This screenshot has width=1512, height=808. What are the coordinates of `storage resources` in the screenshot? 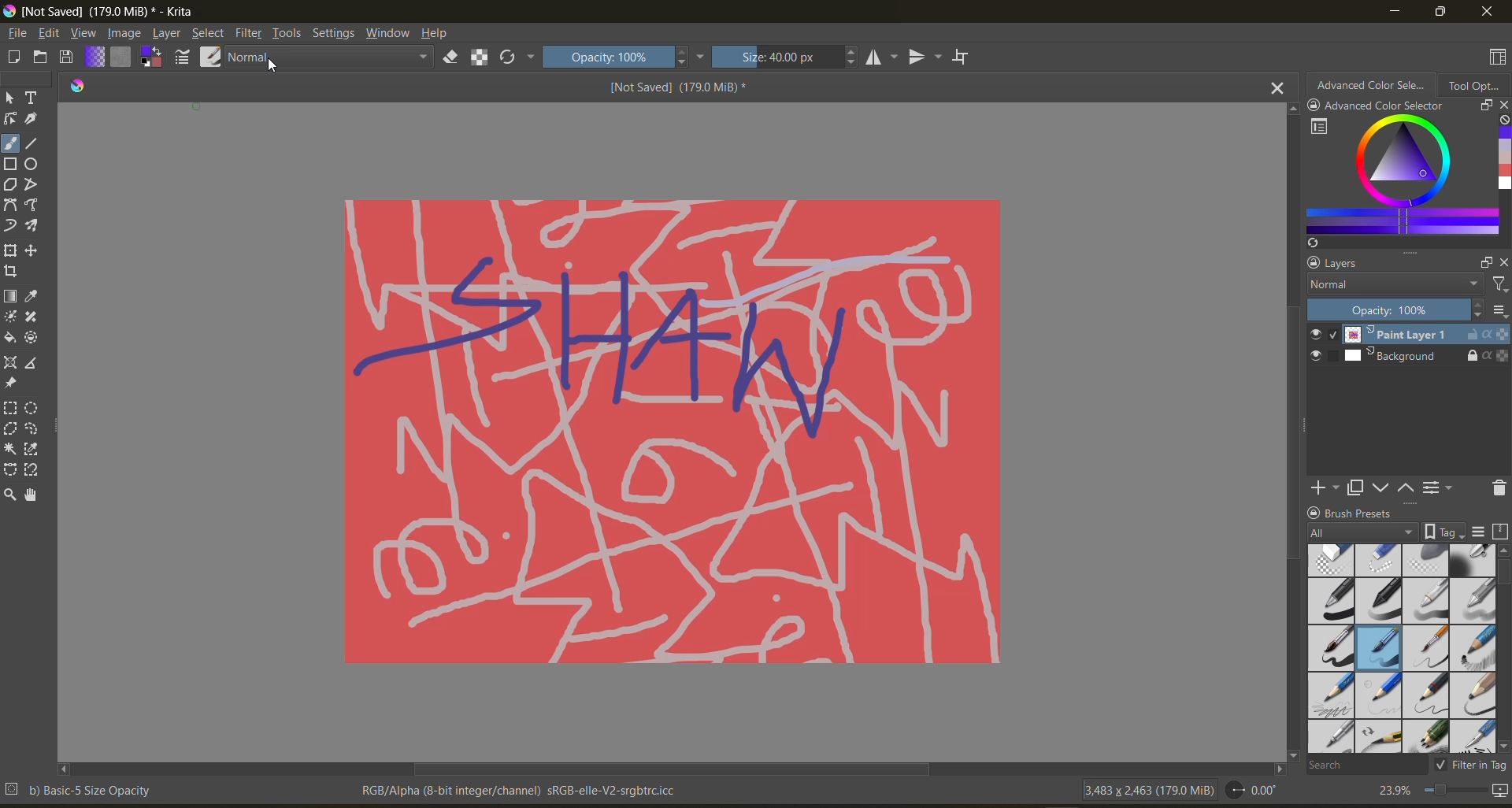 It's located at (1503, 533).